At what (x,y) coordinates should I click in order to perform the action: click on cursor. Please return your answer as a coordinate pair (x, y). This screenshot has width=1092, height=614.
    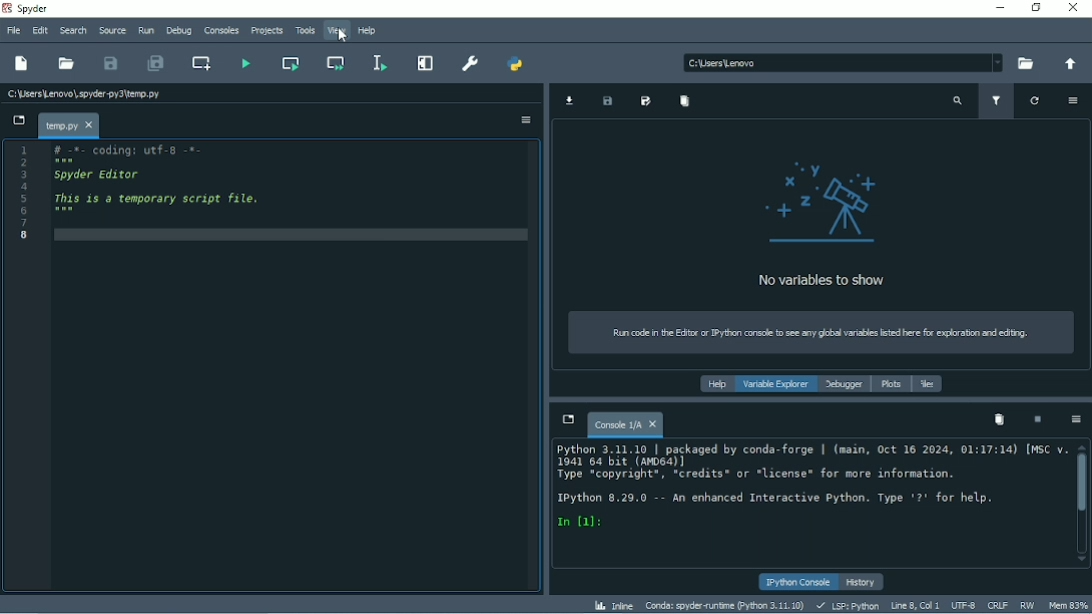
    Looking at the image, I should click on (343, 37).